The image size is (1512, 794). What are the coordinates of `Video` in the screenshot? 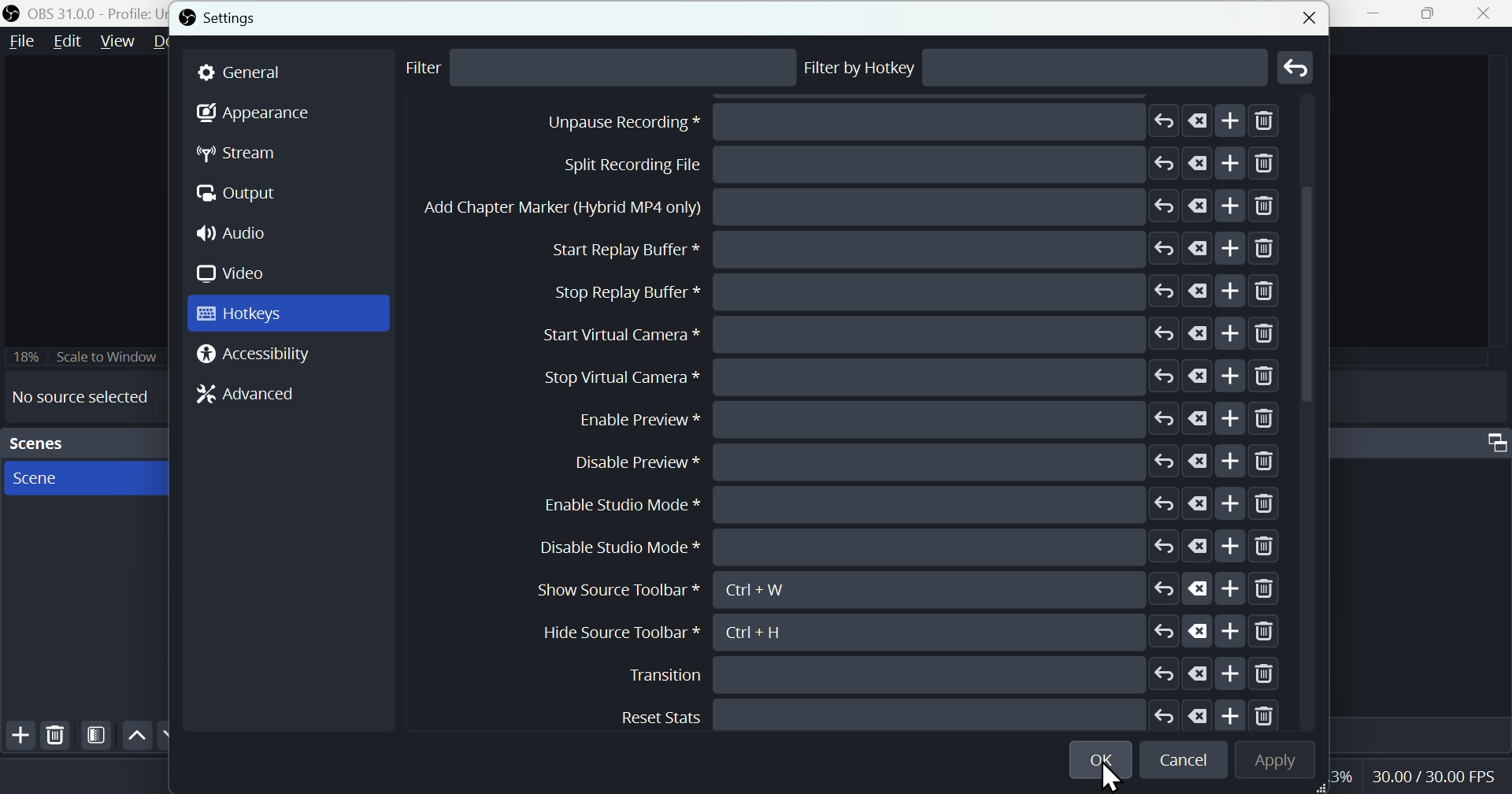 It's located at (237, 273).